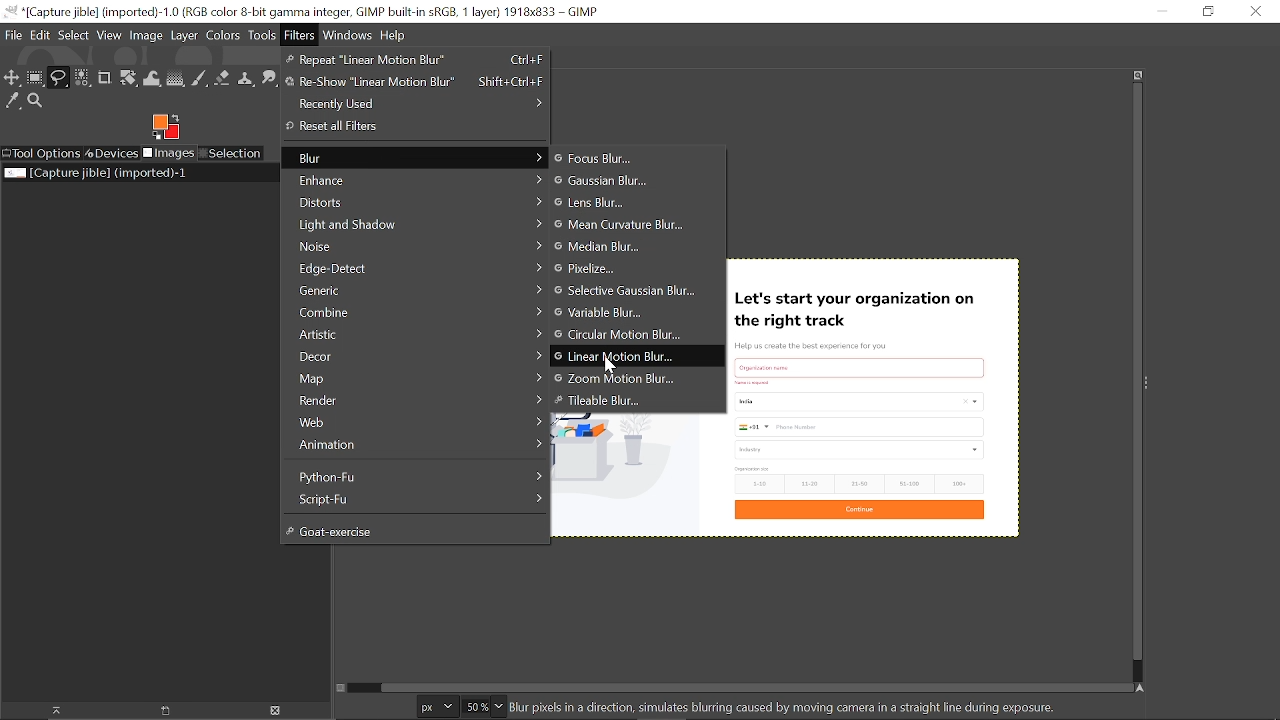  What do you see at coordinates (415, 247) in the screenshot?
I see `Noise` at bounding box center [415, 247].